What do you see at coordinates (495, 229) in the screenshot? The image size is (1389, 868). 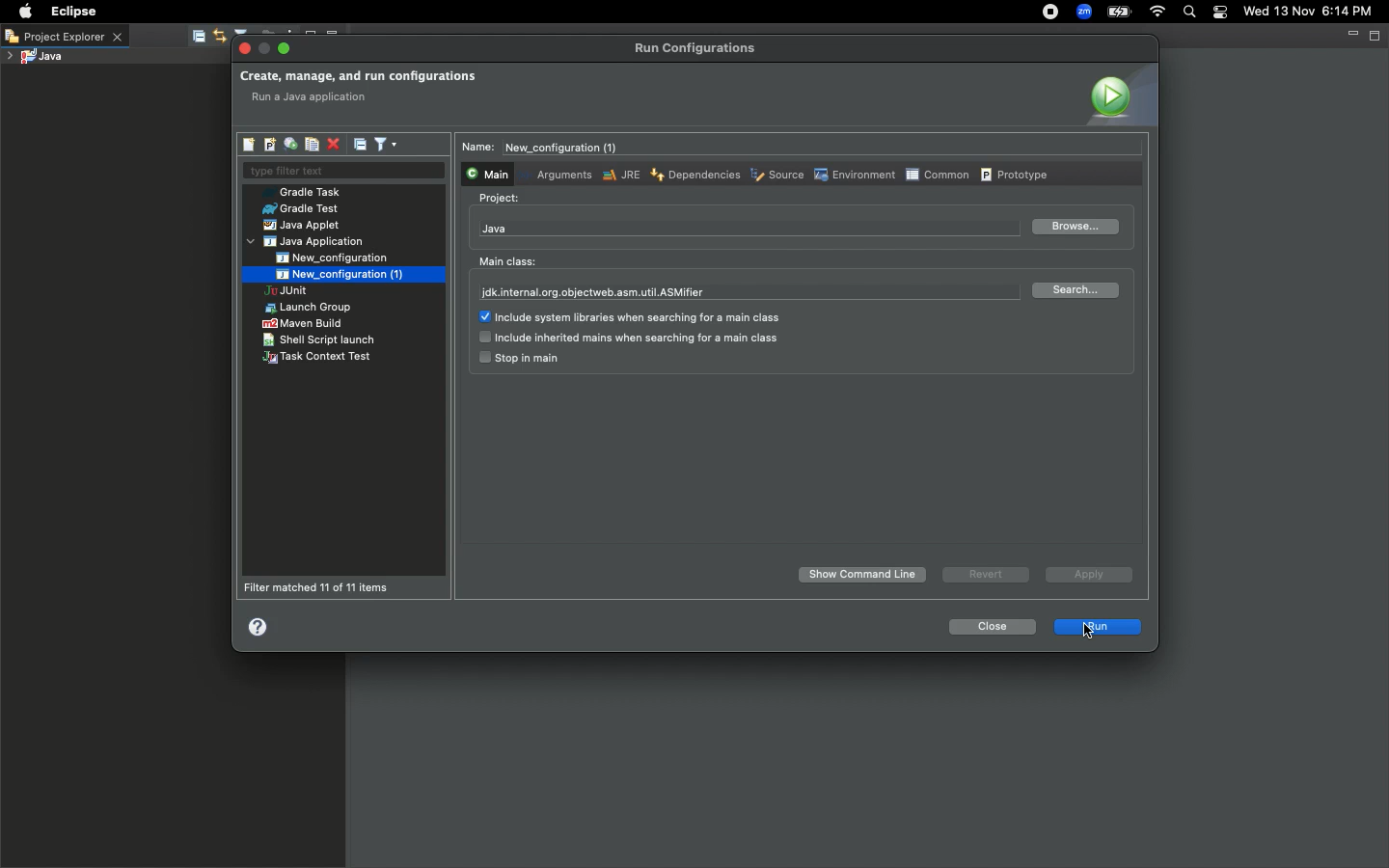 I see `Java` at bounding box center [495, 229].